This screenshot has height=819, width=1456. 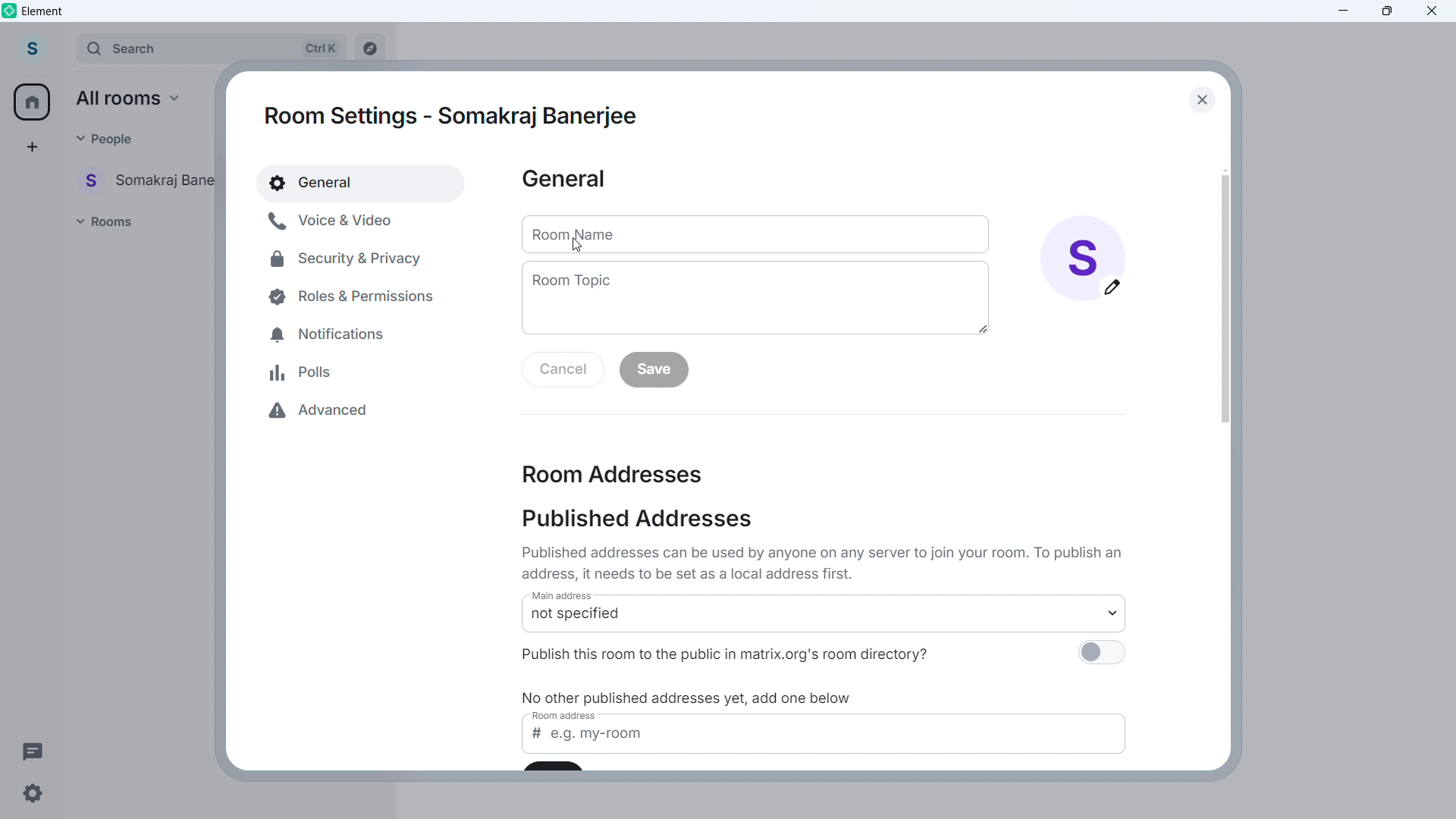 I want to click on cursor movement, so click(x=579, y=246).